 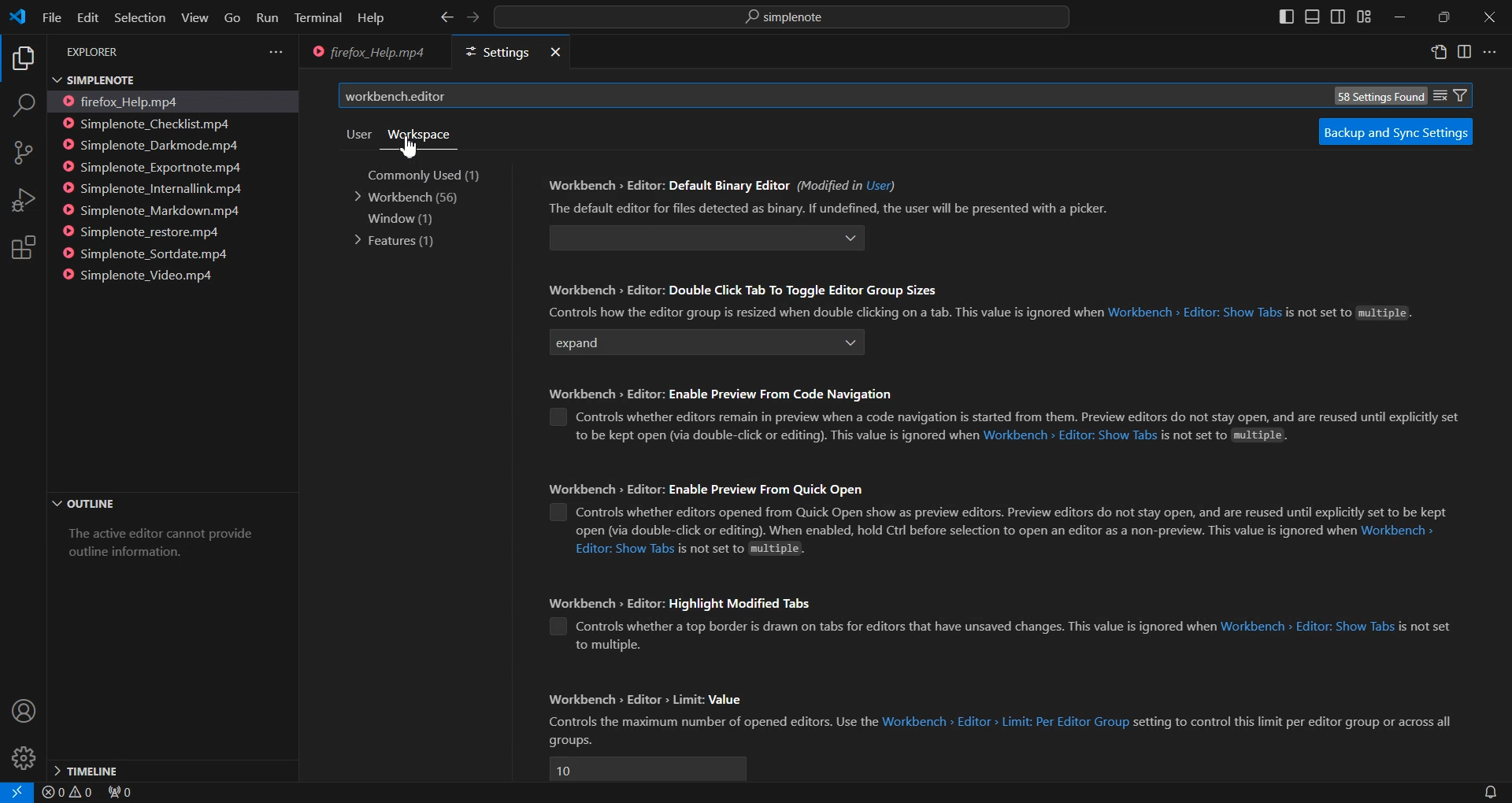 What do you see at coordinates (963, 531) in the screenshot?
I see `open (via double-click or editing). When enabled, hold Ctrl before selection to open an editor as a non-preview. This value is ignored when` at bounding box center [963, 531].